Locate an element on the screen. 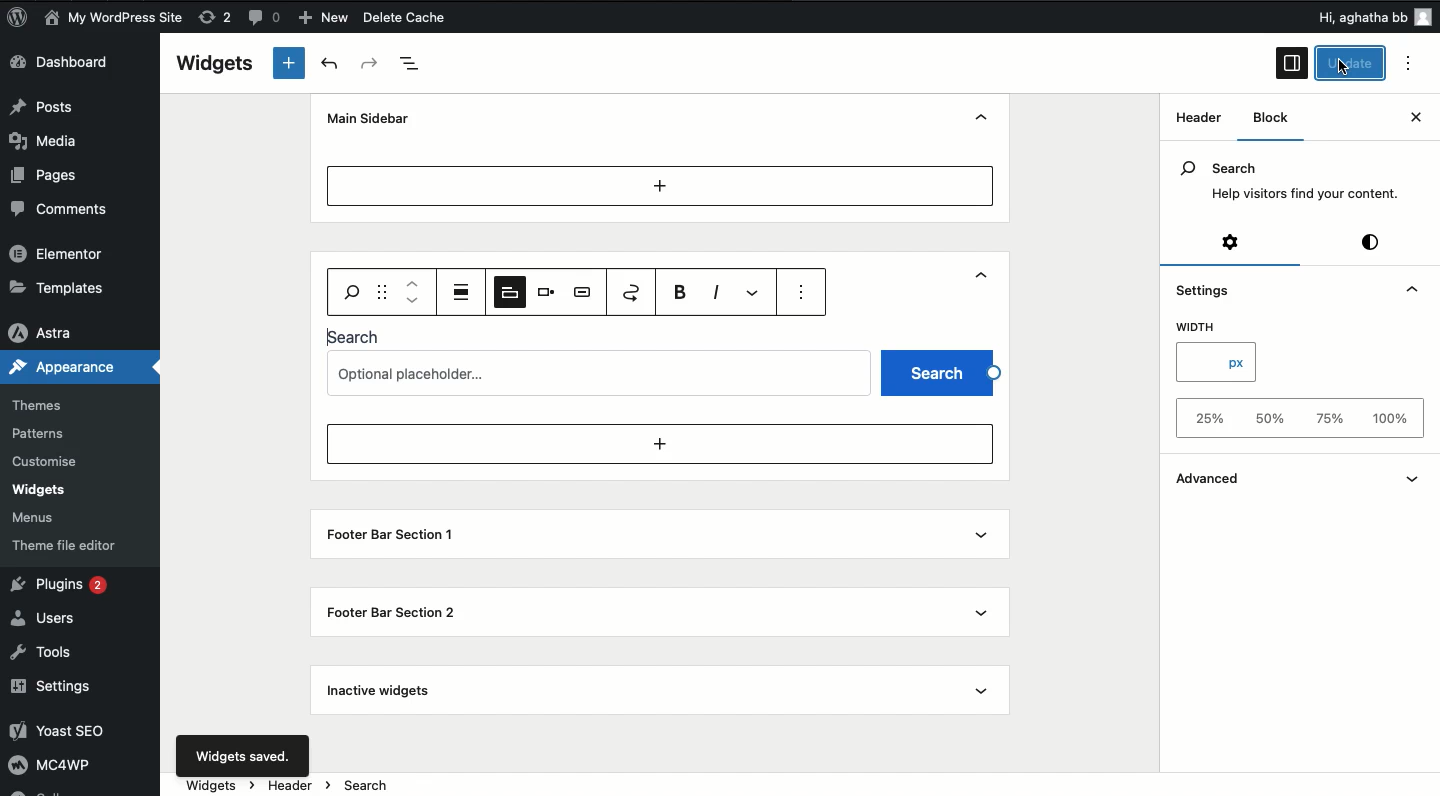 The width and height of the screenshot is (1440, 796). Sidebar is located at coordinates (1291, 64).